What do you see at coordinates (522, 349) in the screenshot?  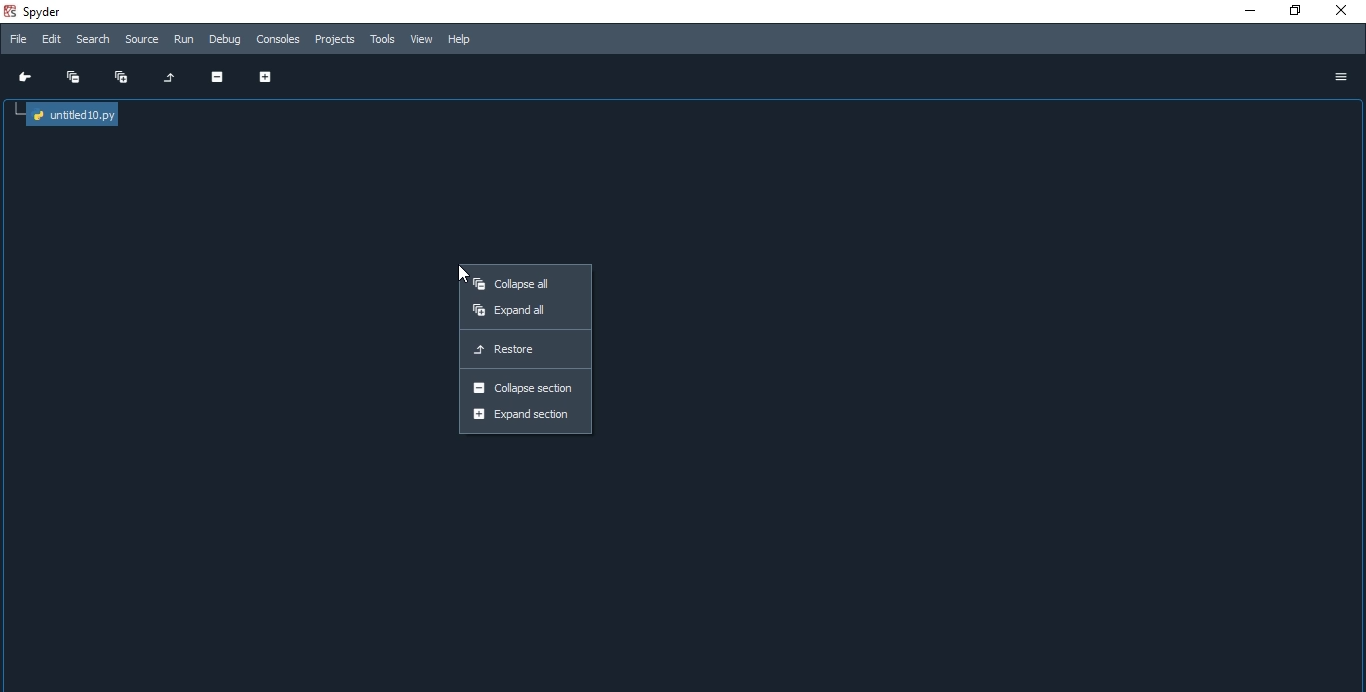 I see `Restore` at bounding box center [522, 349].